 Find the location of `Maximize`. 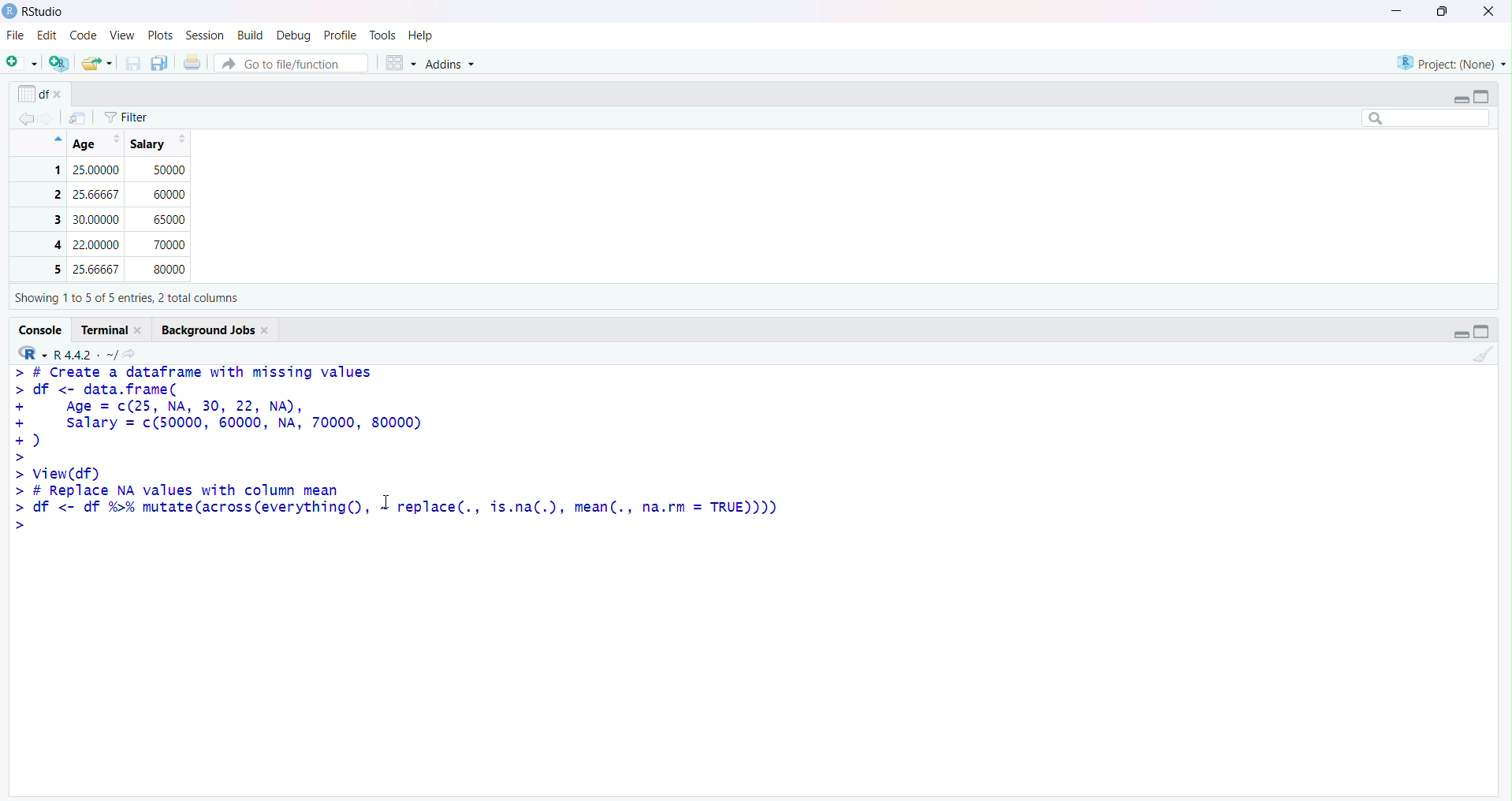

Maximize is located at coordinates (1487, 97).